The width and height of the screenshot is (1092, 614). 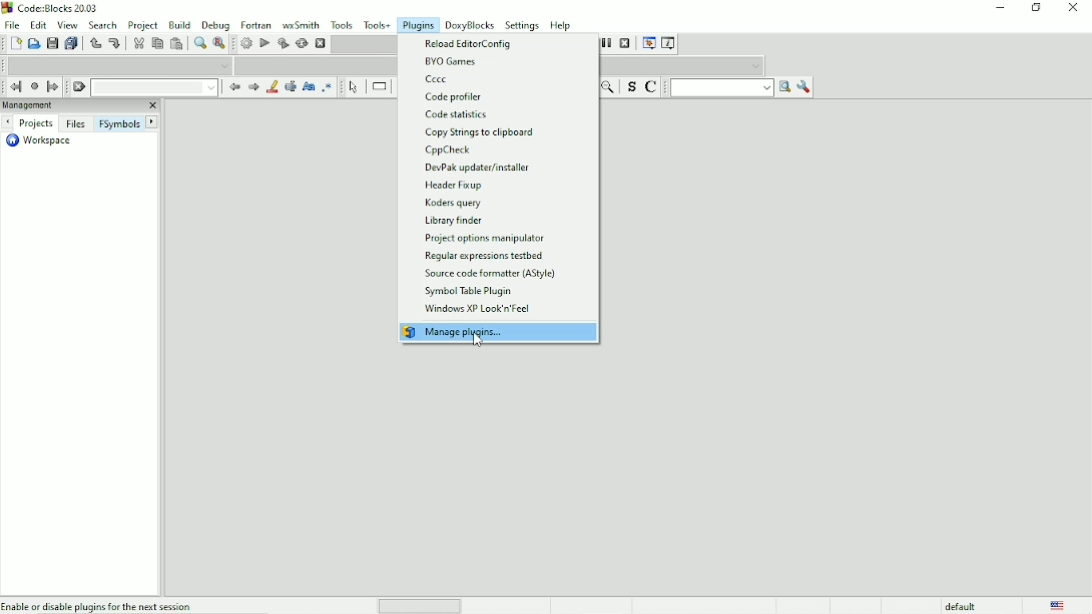 What do you see at coordinates (630, 89) in the screenshot?
I see `Toggle source` at bounding box center [630, 89].